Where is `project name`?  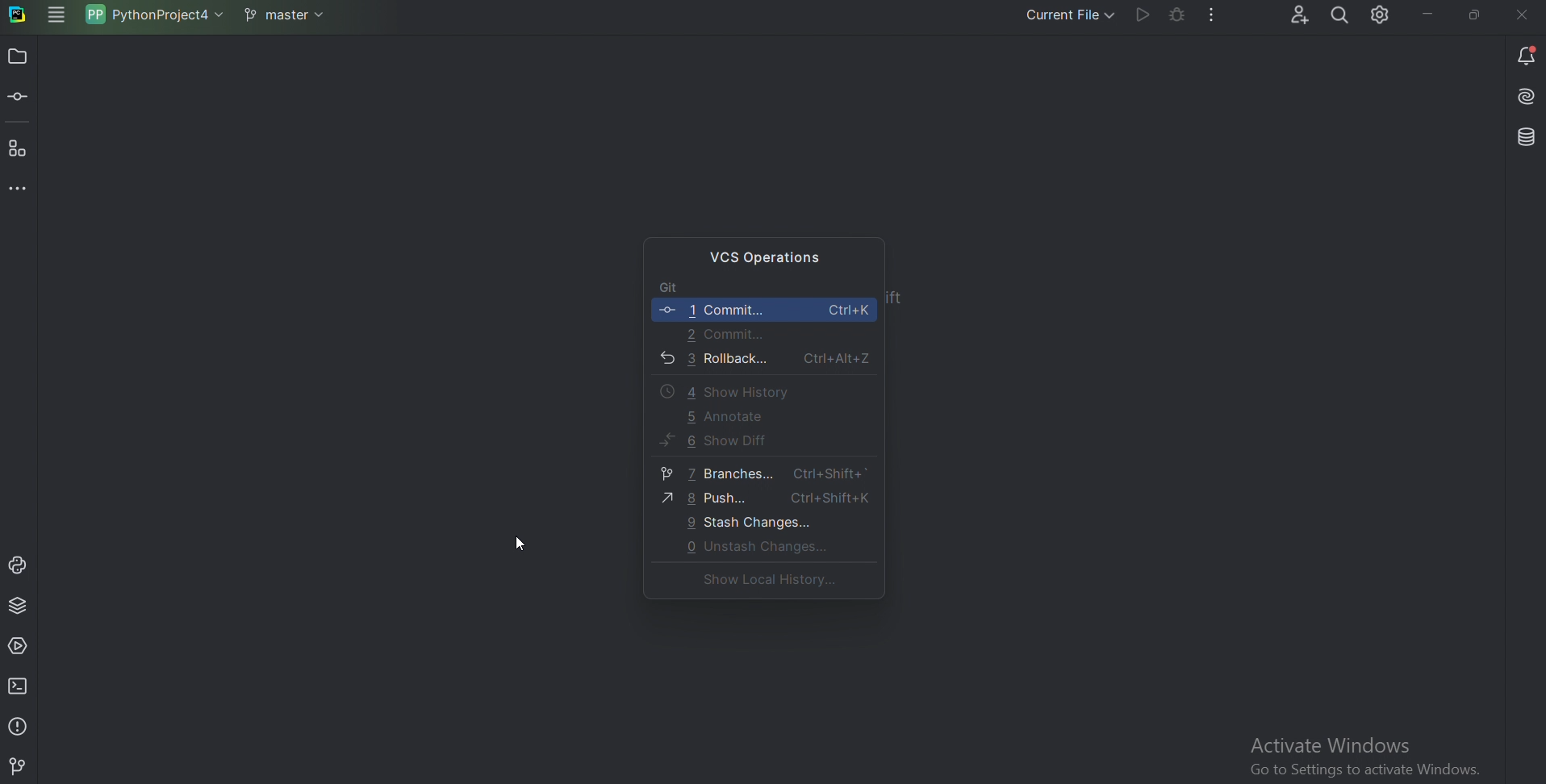 project name is located at coordinates (153, 18).